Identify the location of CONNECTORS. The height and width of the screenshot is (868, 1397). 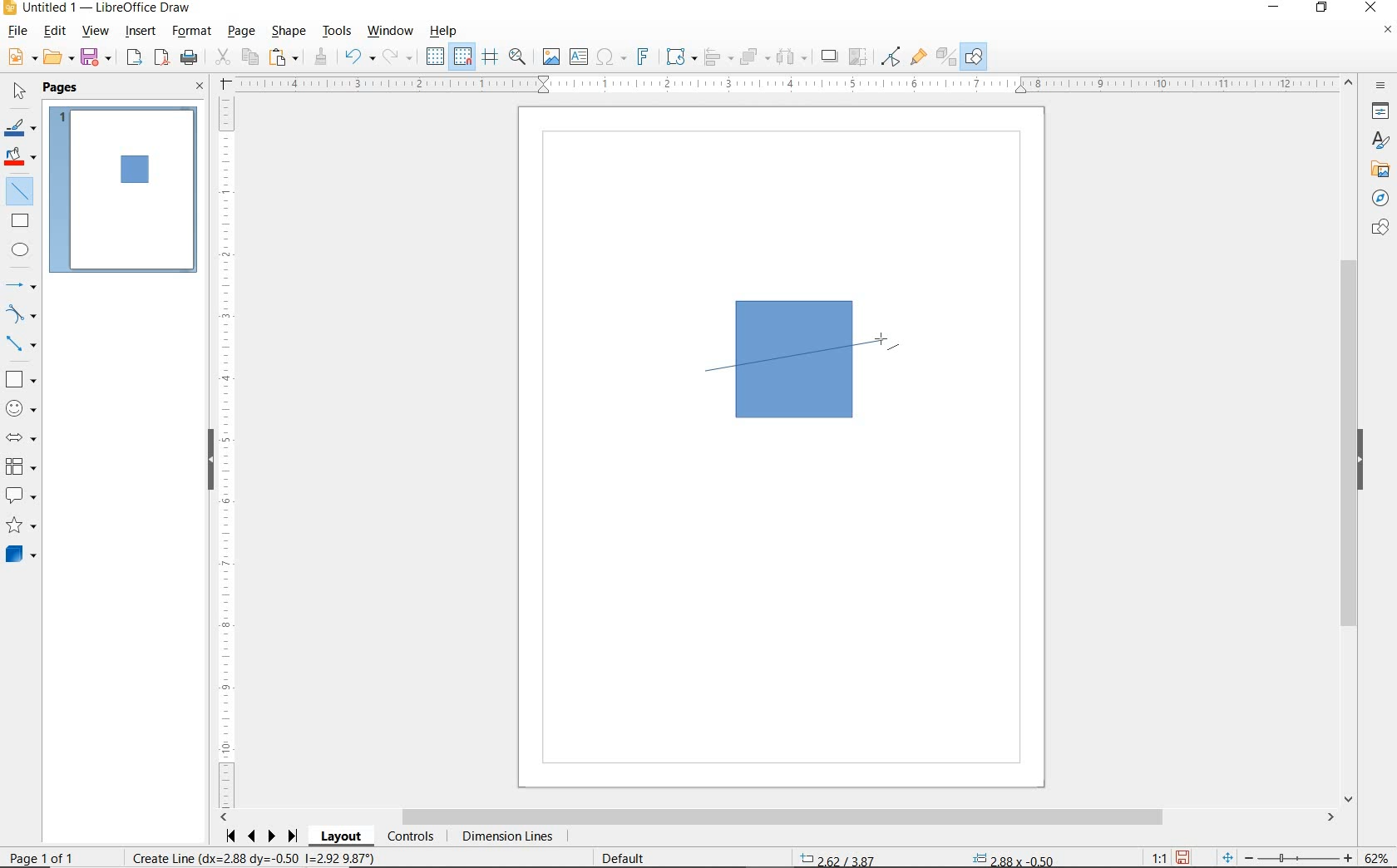
(21, 345).